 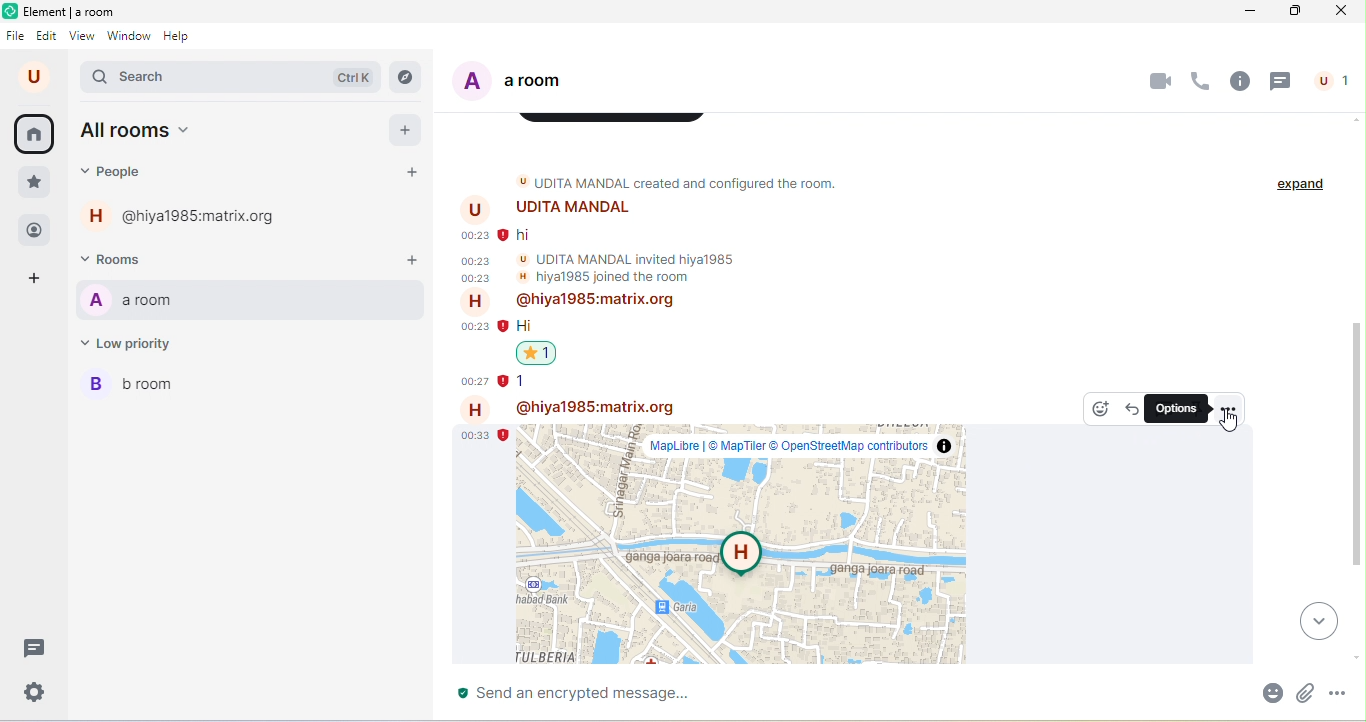 I want to click on threads, so click(x=32, y=648).